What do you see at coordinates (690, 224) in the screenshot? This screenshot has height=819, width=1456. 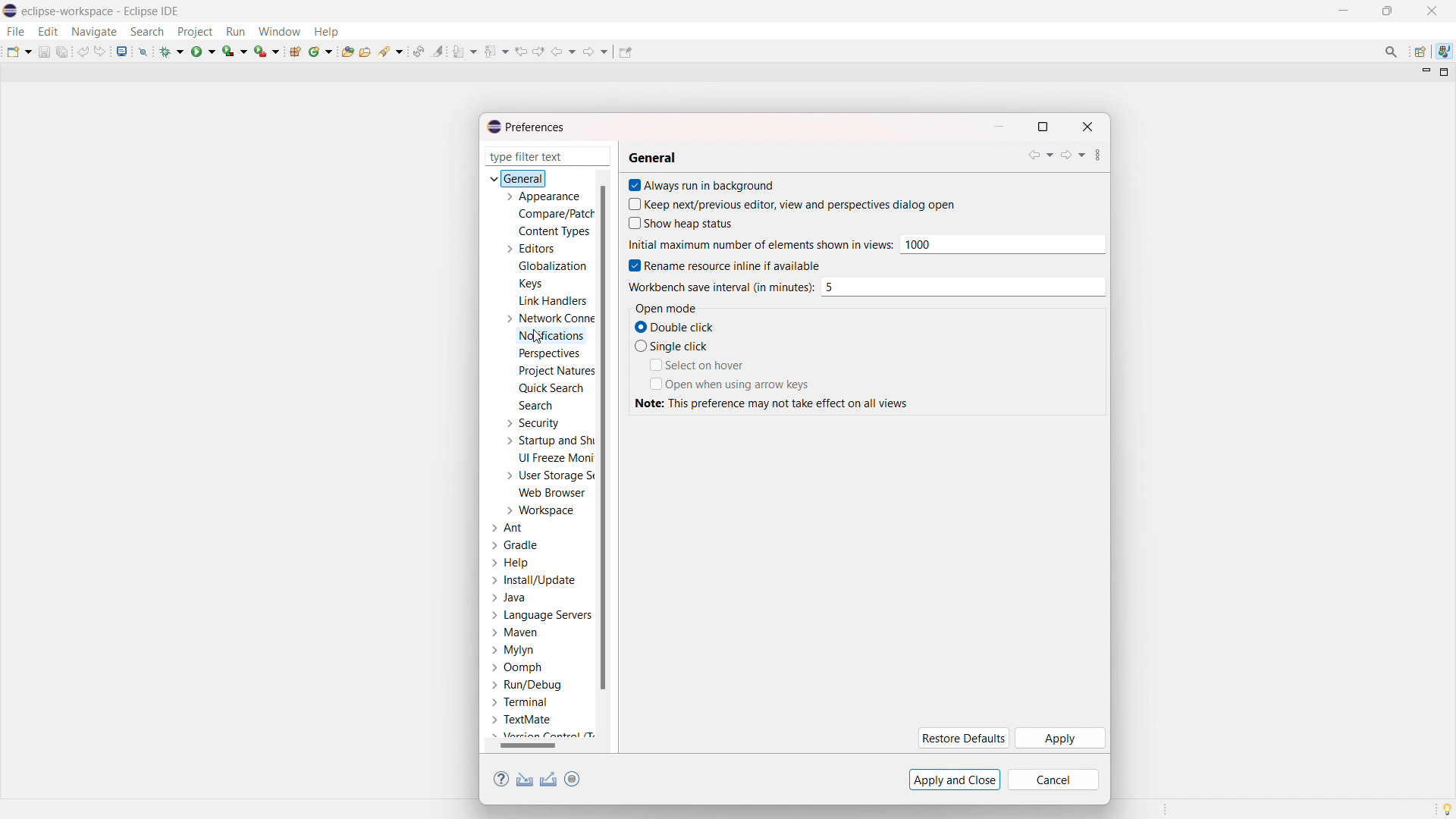 I see `show heap status` at bounding box center [690, 224].